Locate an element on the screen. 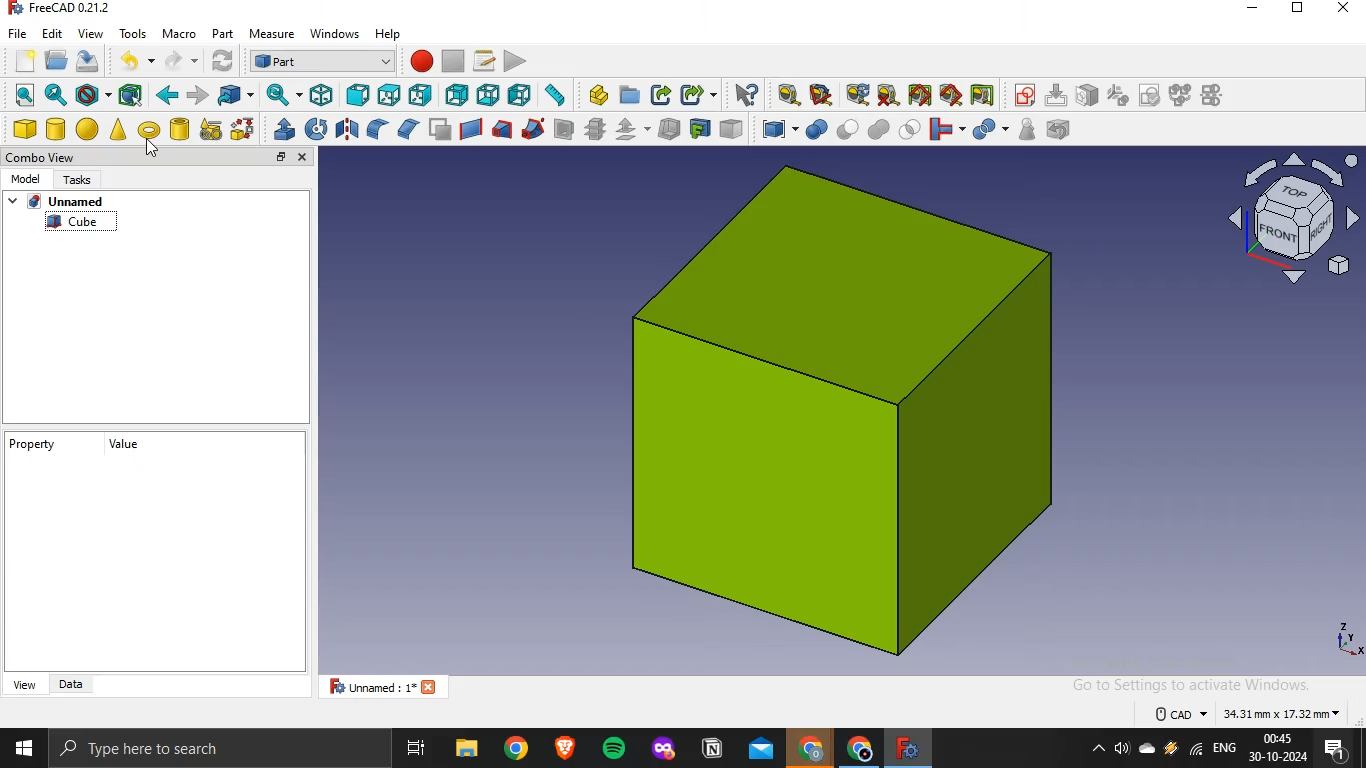 This screenshot has width=1366, height=768. start is located at coordinates (20, 751).